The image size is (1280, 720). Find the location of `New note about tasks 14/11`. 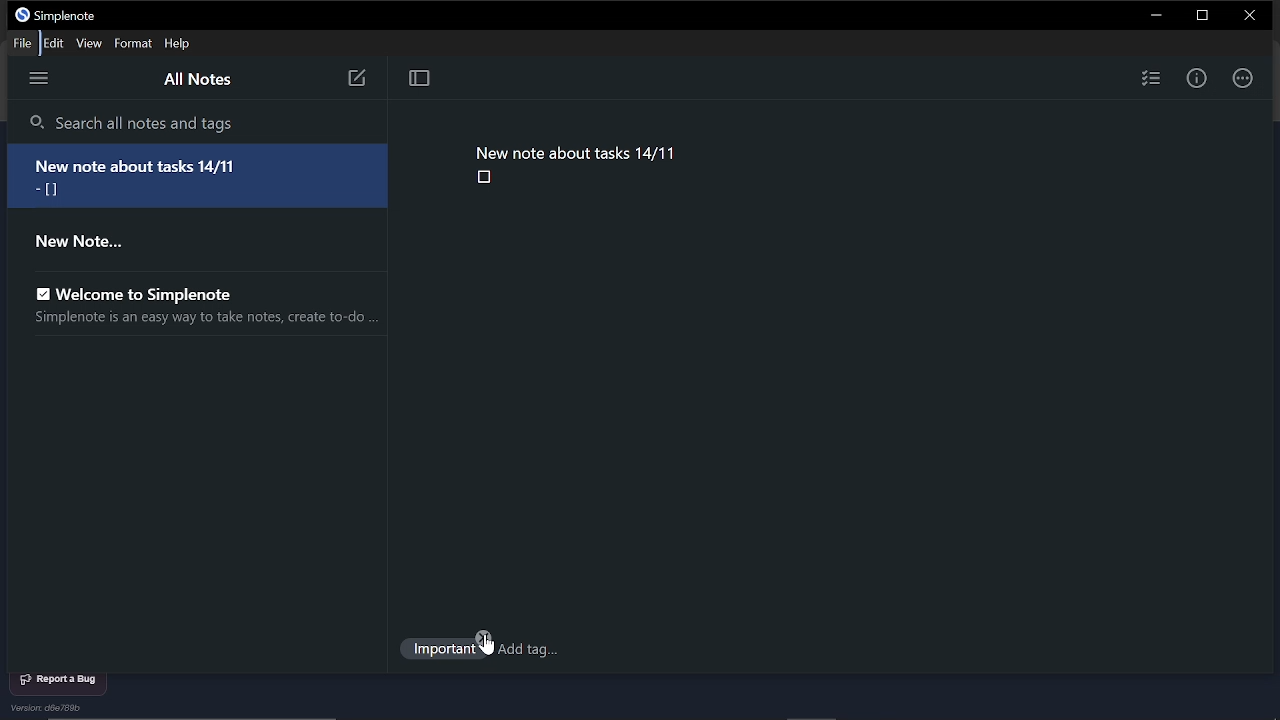

New note about tasks 14/11 is located at coordinates (576, 150).